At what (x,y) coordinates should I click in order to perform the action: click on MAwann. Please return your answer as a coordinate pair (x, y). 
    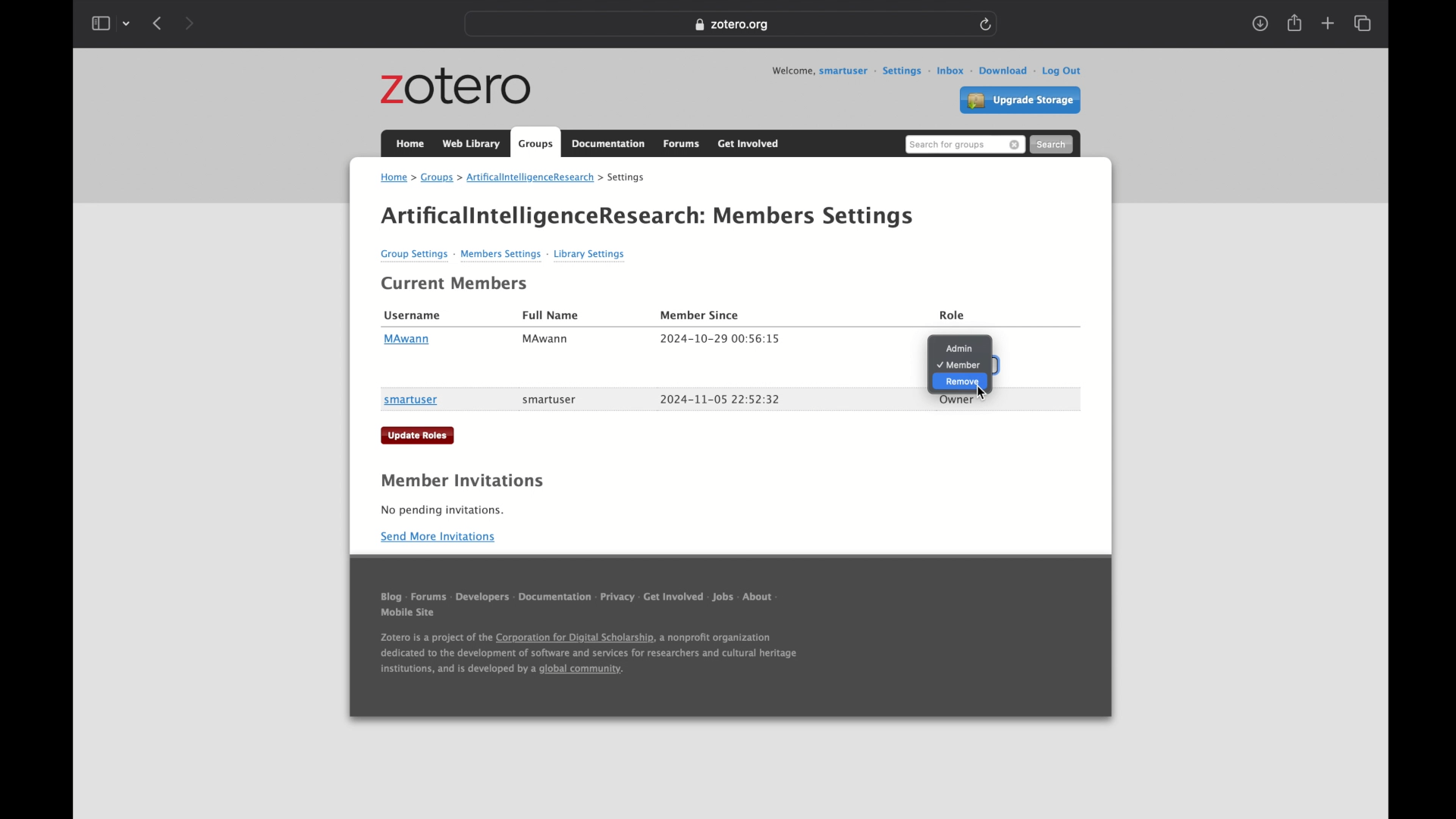
    Looking at the image, I should click on (546, 340).